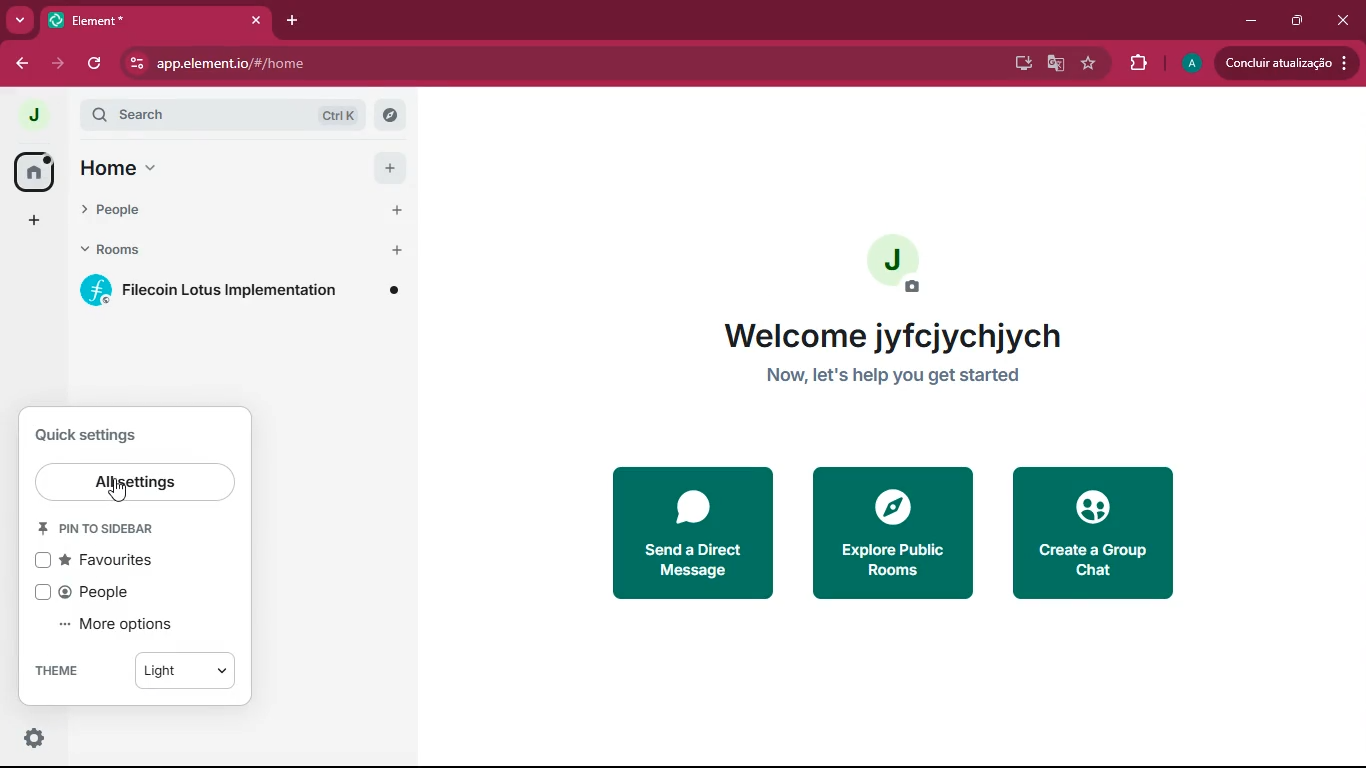  What do you see at coordinates (117, 624) in the screenshot?
I see `more options` at bounding box center [117, 624].